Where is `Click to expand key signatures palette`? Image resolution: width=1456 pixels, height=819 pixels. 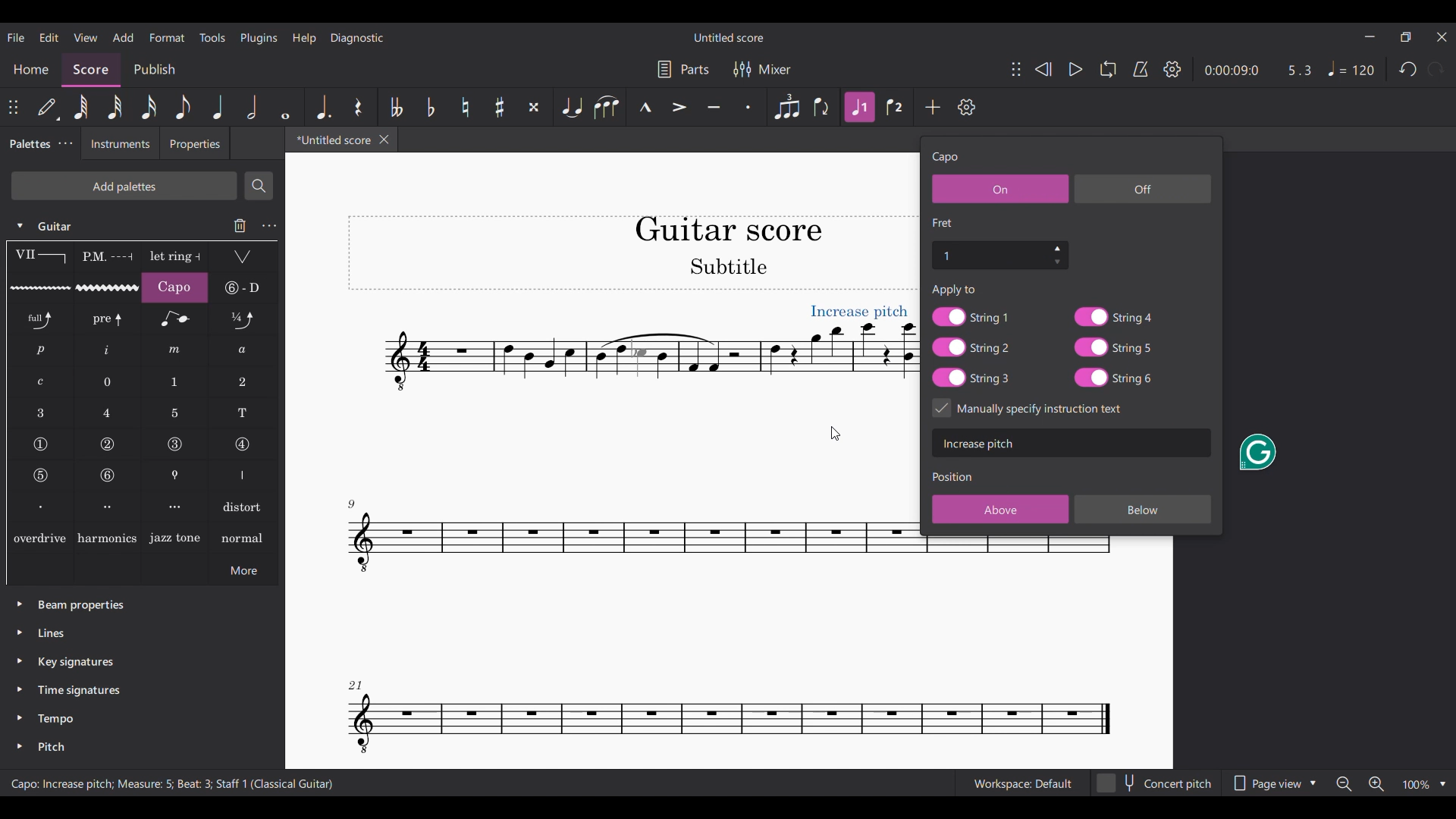 Click to expand key signatures palette is located at coordinates (20, 661).